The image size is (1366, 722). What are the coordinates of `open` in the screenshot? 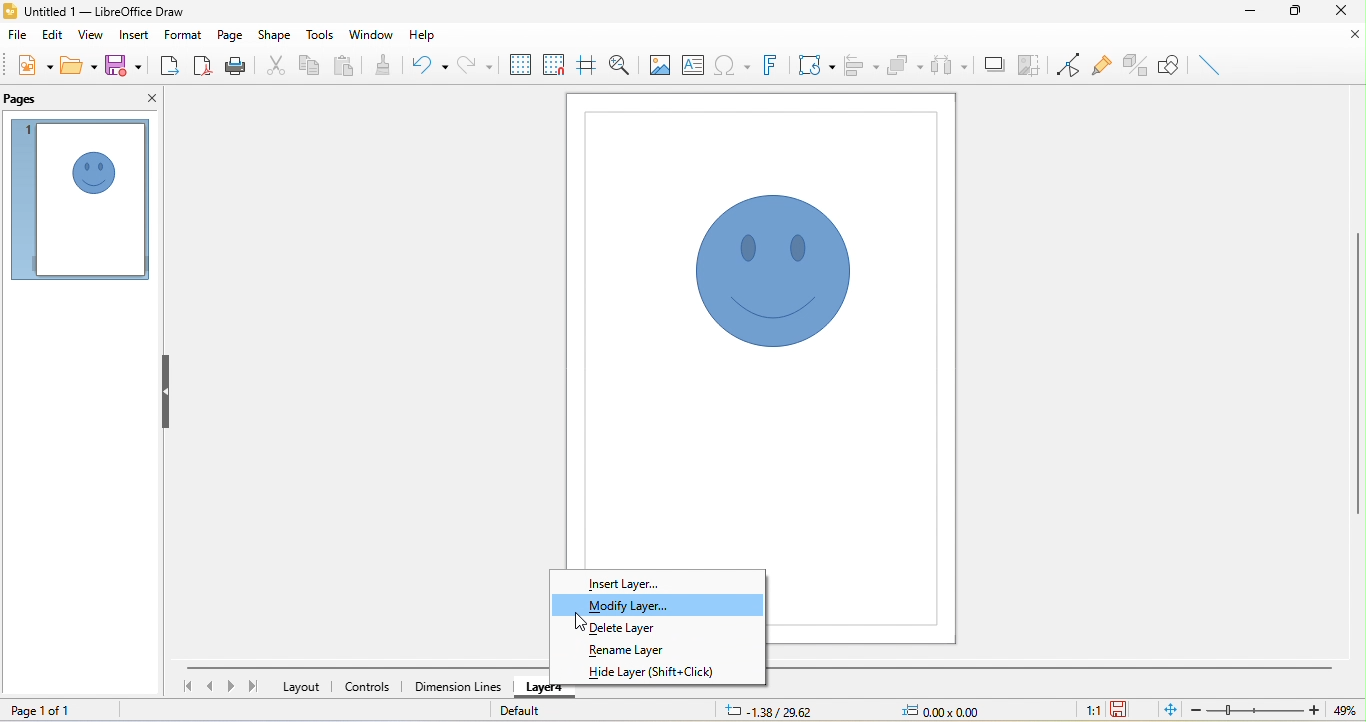 It's located at (78, 65).